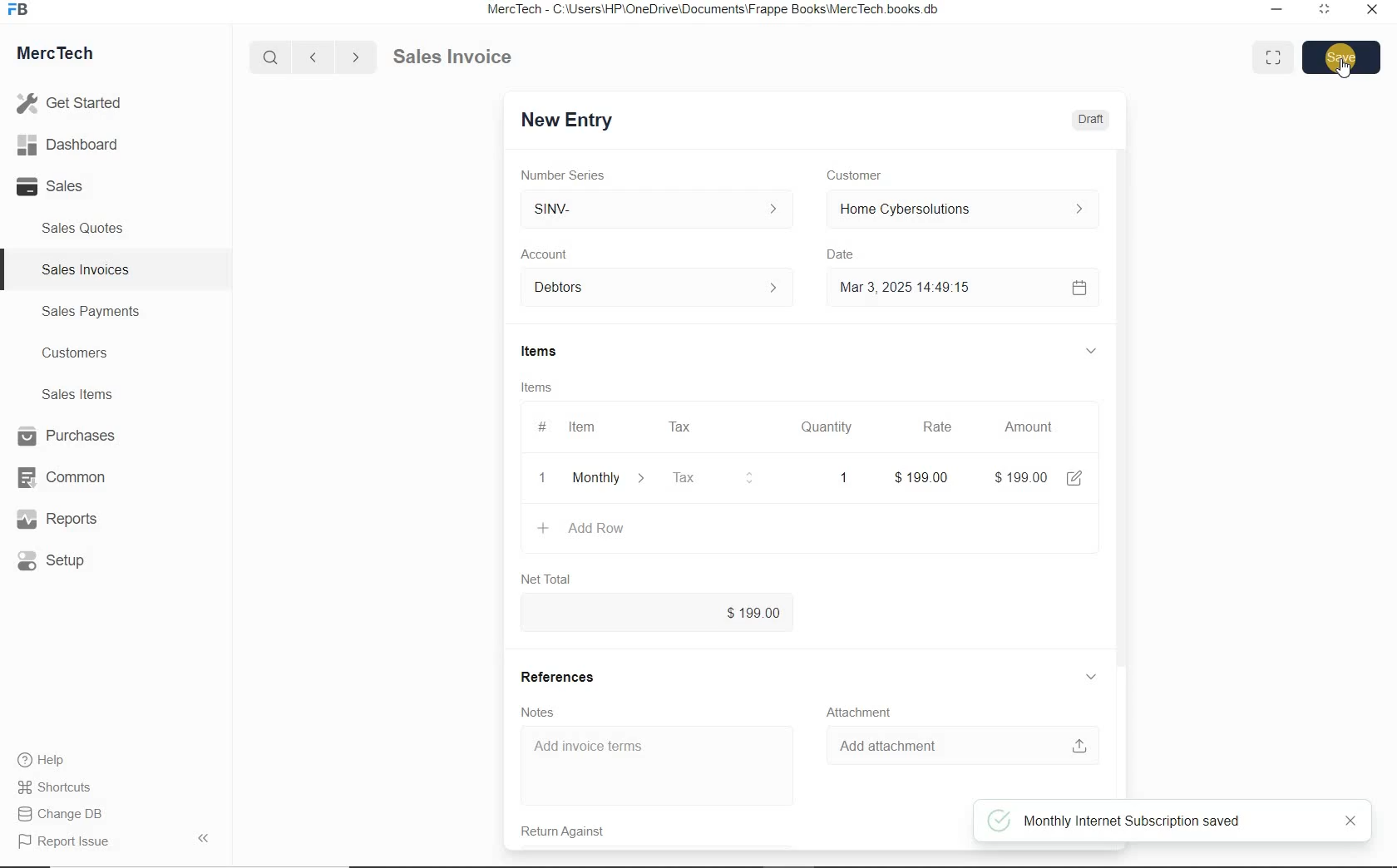  Describe the element at coordinates (86, 269) in the screenshot. I see `Sales Invoices` at that location.